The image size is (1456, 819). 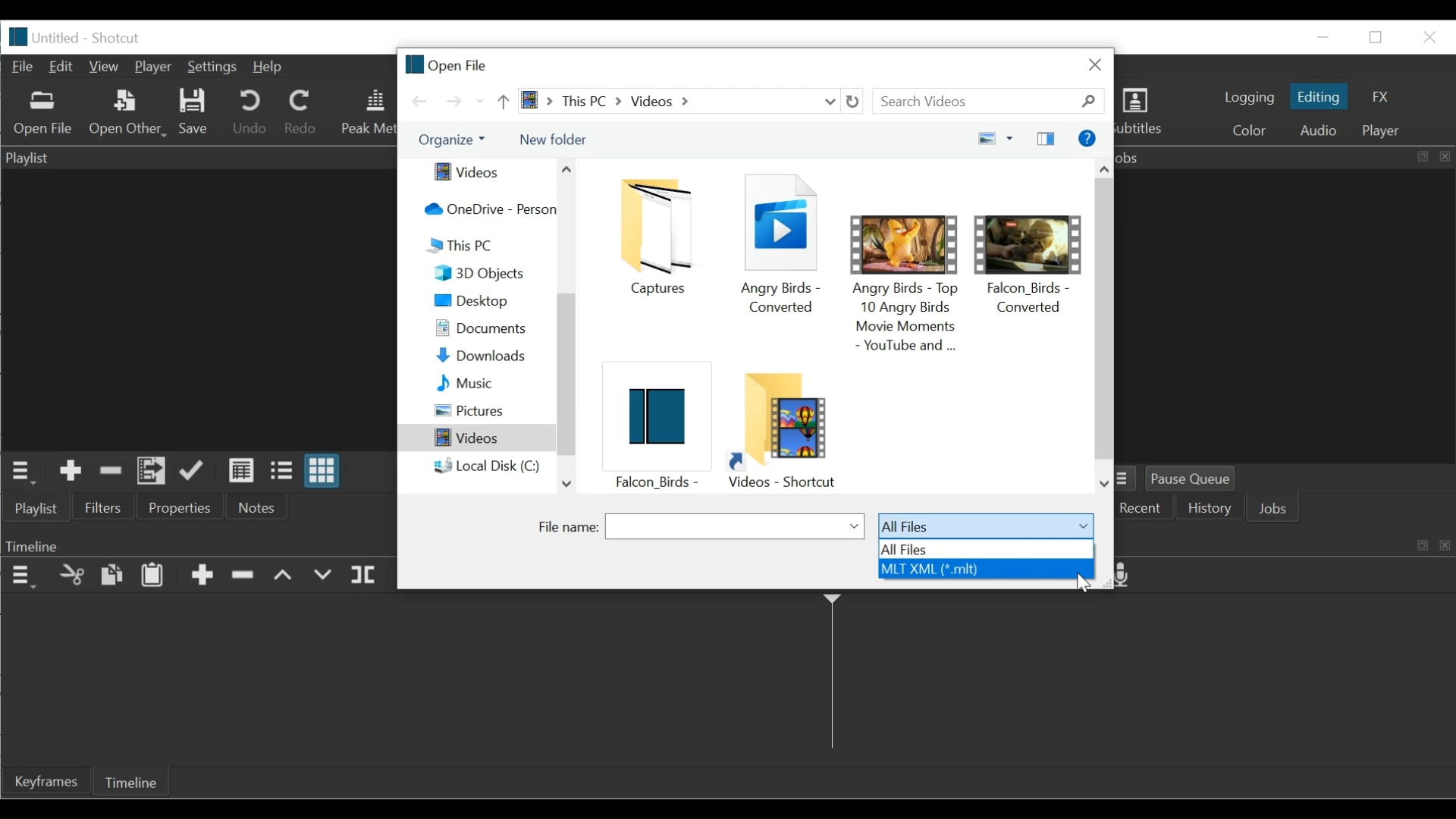 I want to click on History, so click(x=1212, y=510).